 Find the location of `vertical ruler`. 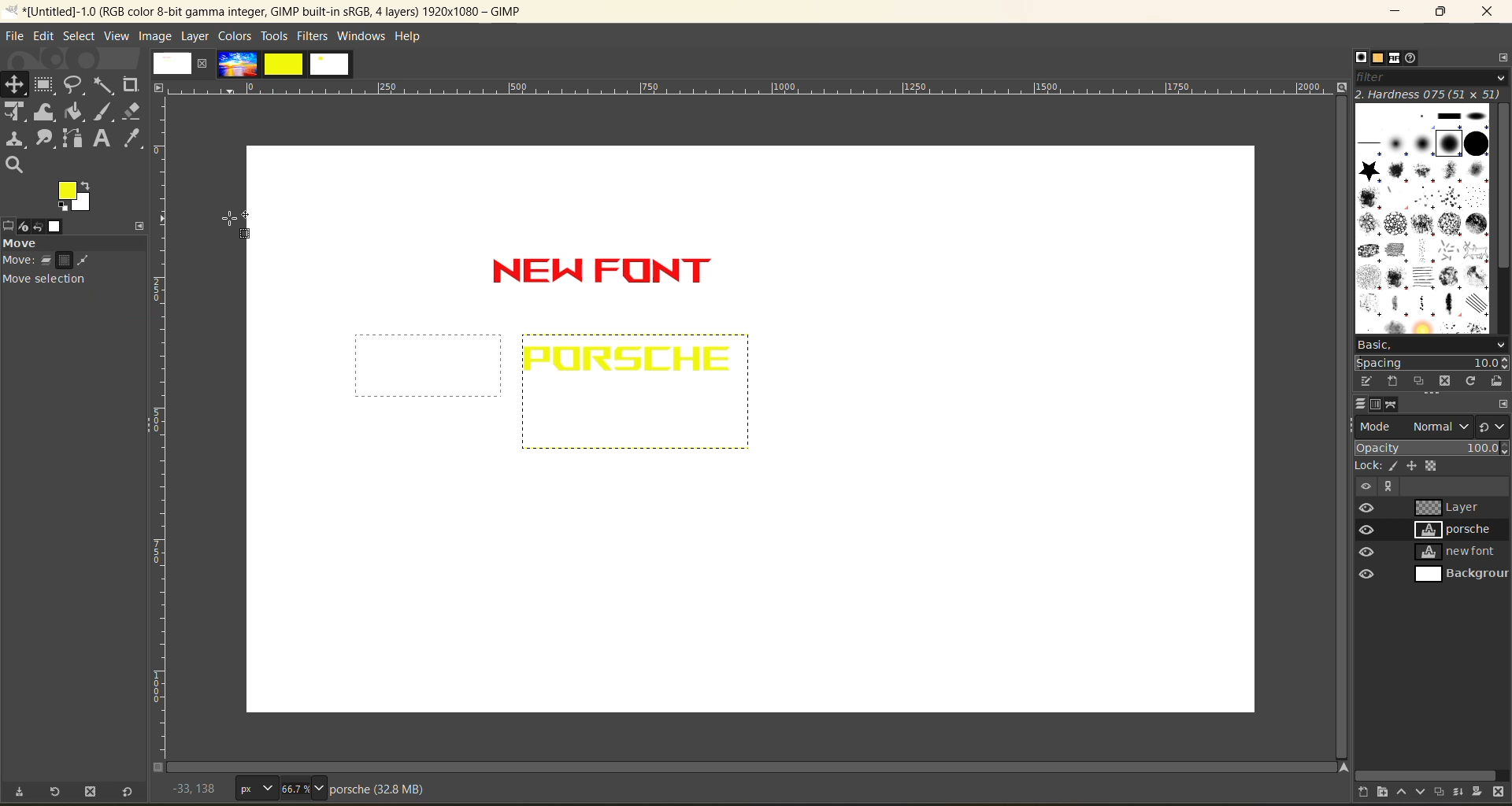

vertical ruler is located at coordinates (159, 427).